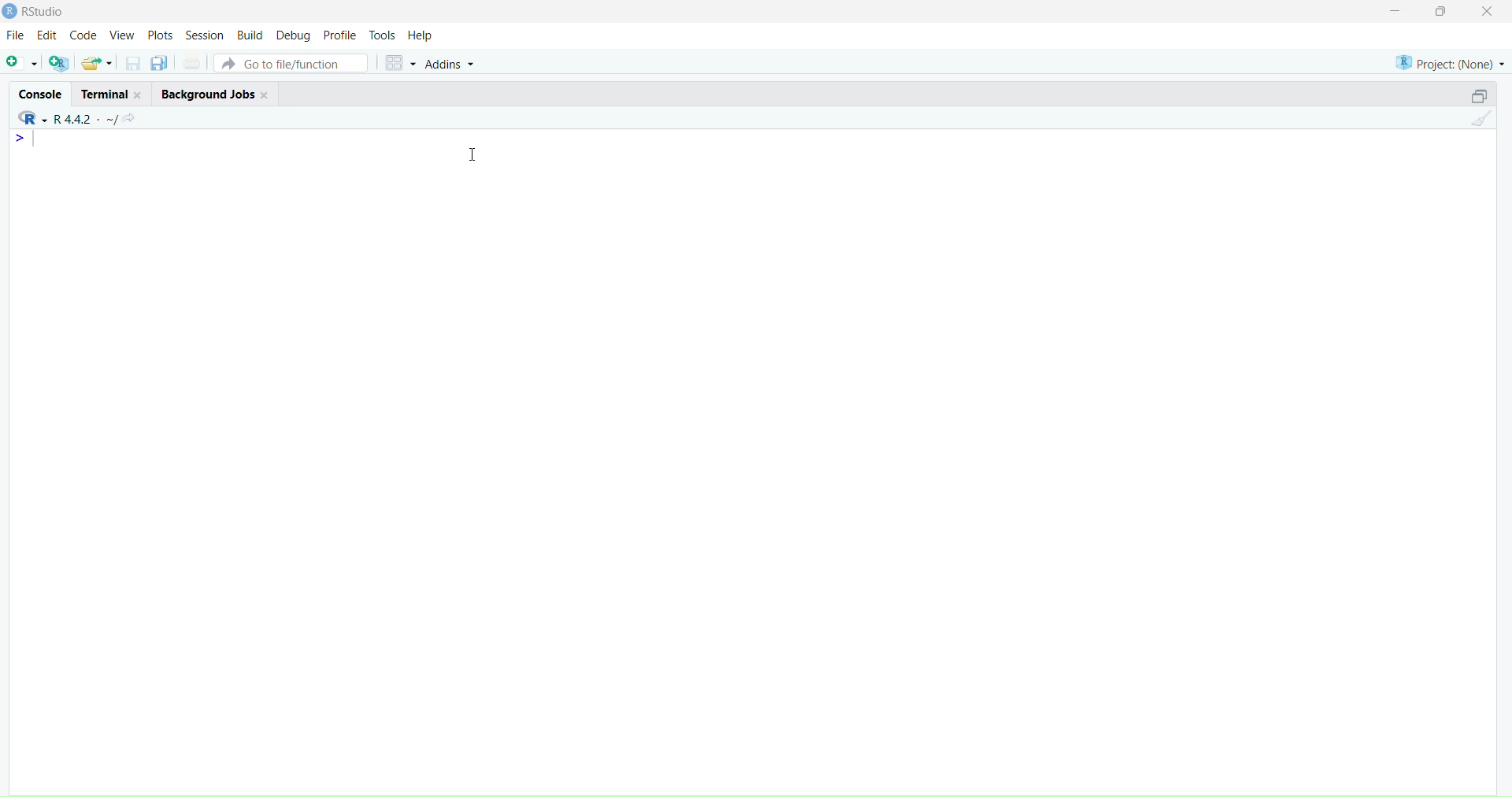 This screenshot has width=1512, height=797. I want to click on R. 4.4.2 ~/, so click(84, 120).